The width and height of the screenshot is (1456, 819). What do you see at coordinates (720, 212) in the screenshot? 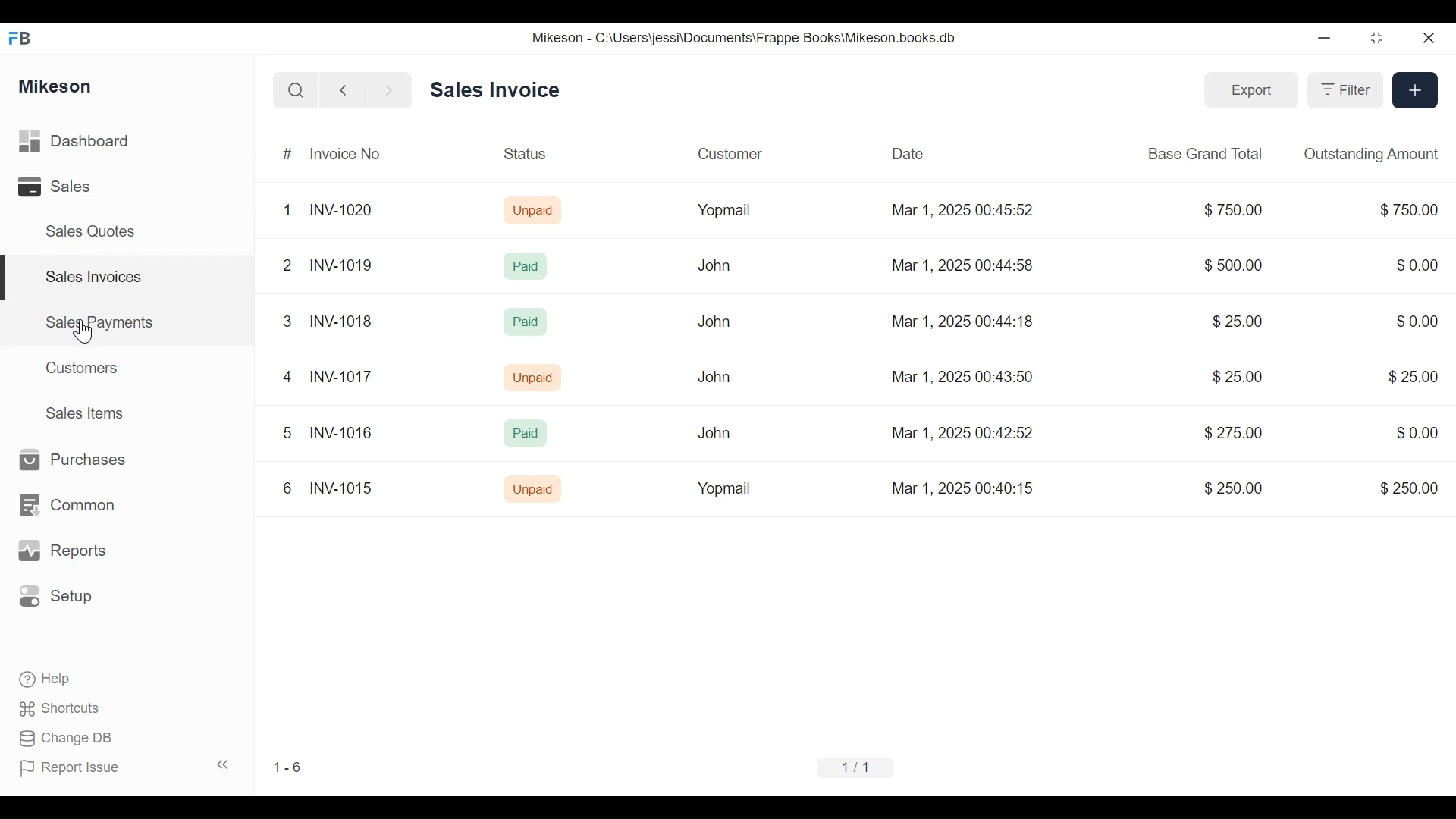
I see `‘Yopmail` at bounding box center [720, 212].